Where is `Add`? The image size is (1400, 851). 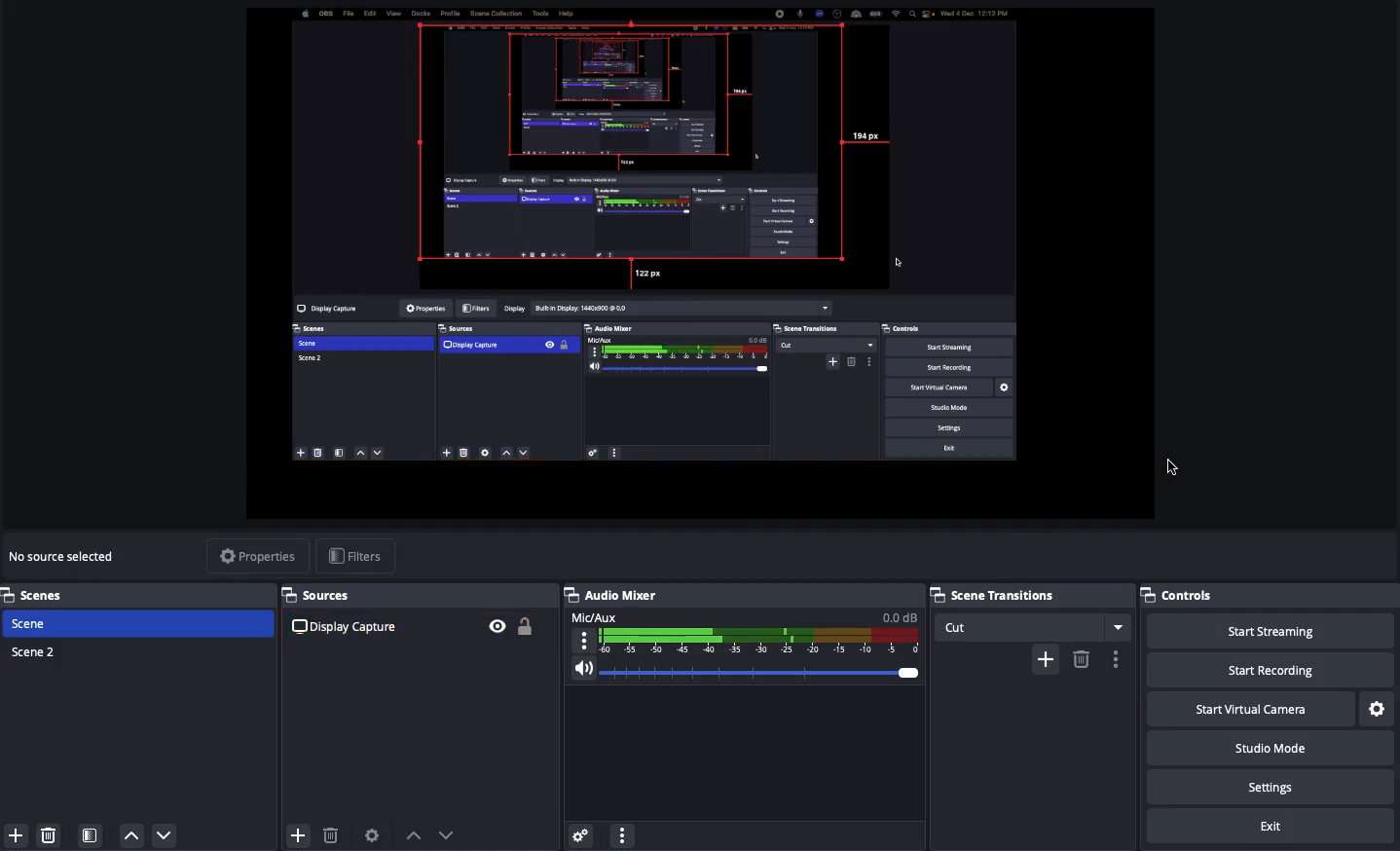
Add is located at coordinates (1045, 657).